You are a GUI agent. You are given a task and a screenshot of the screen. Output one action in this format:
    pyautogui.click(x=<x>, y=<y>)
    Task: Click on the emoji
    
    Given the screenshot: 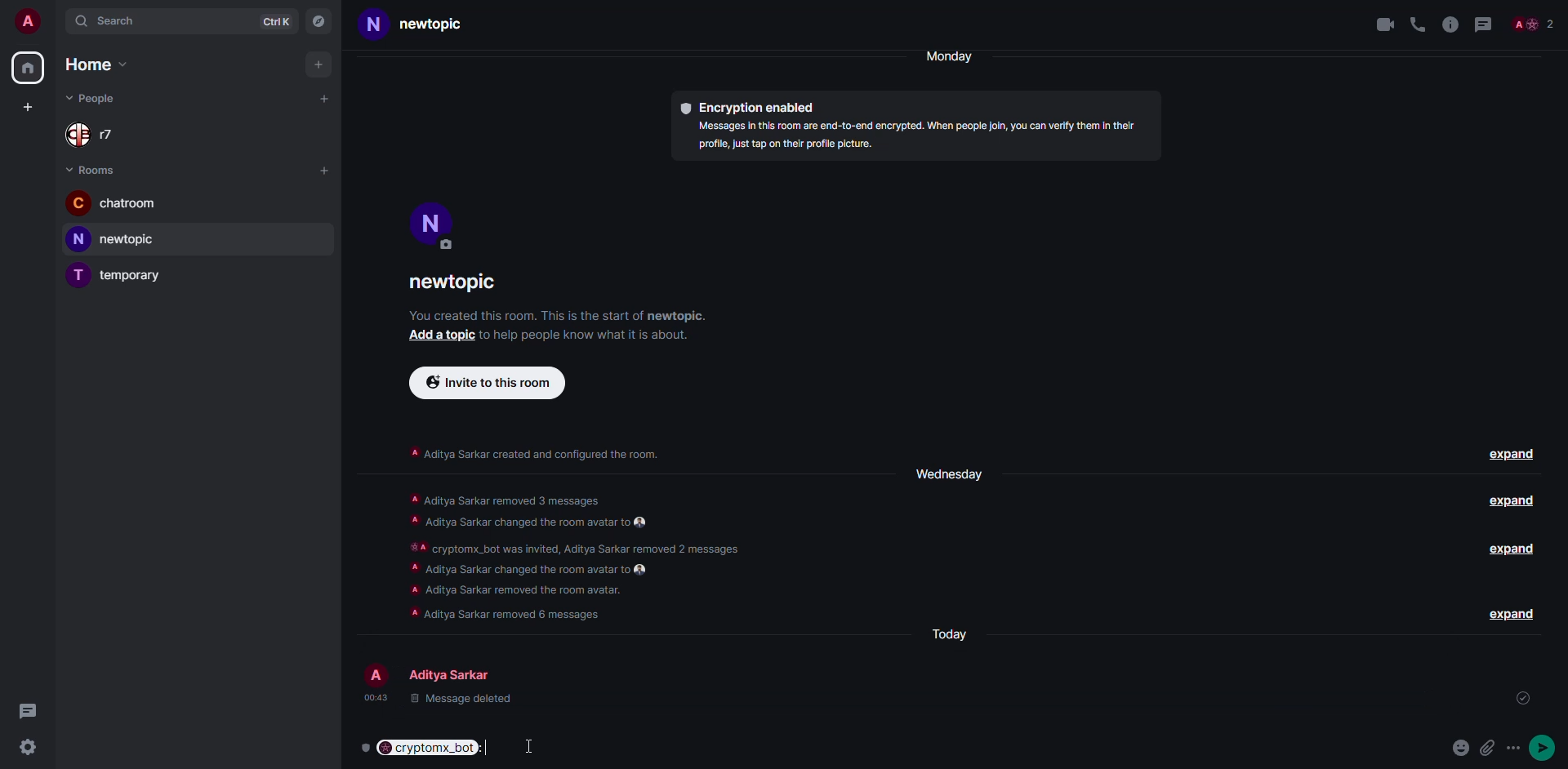 What is the action you would take?
    pyautogui.click(x=1461, y=746)
    